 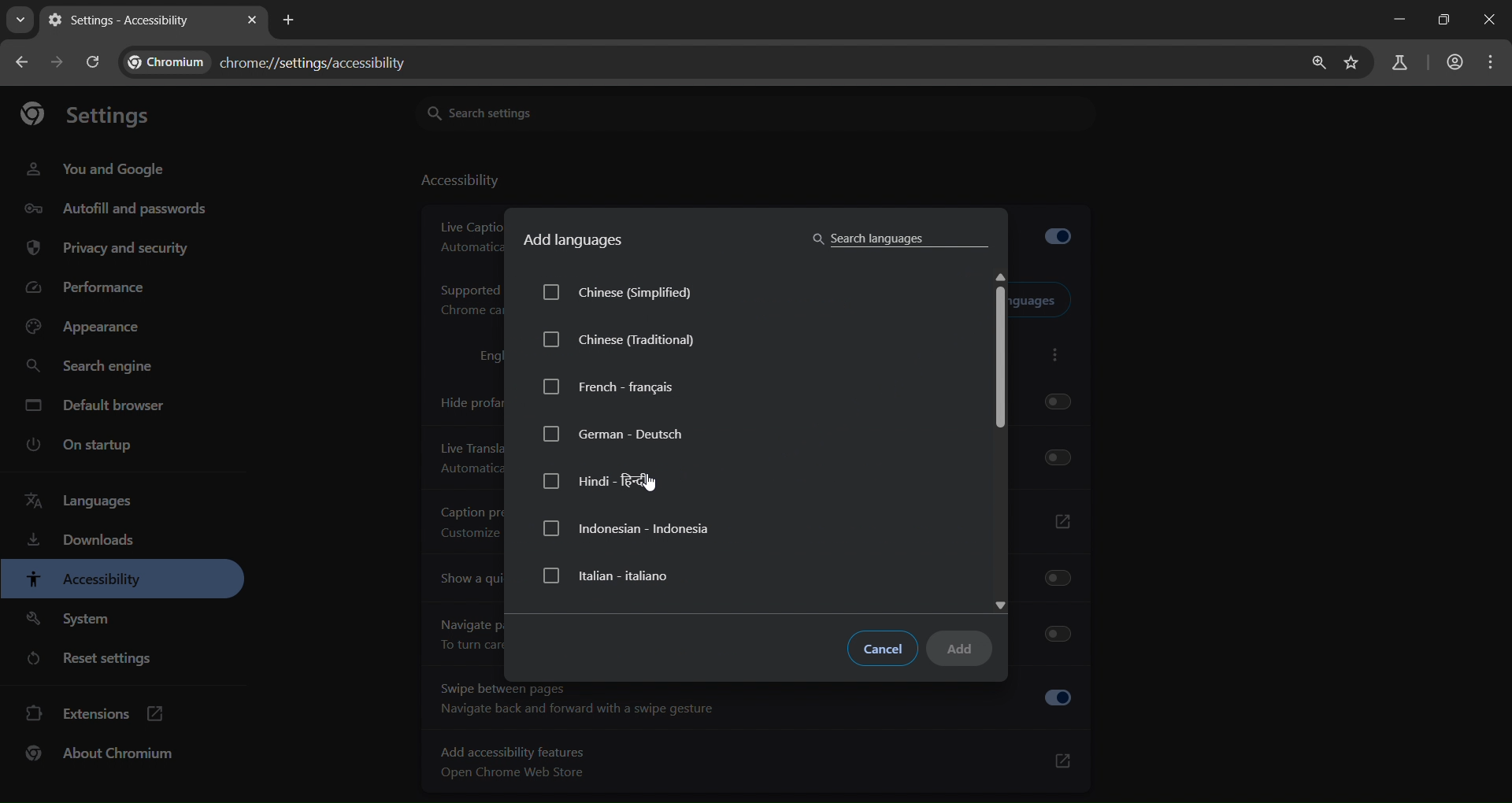 I want to click on system, so click(x=72, y=620).